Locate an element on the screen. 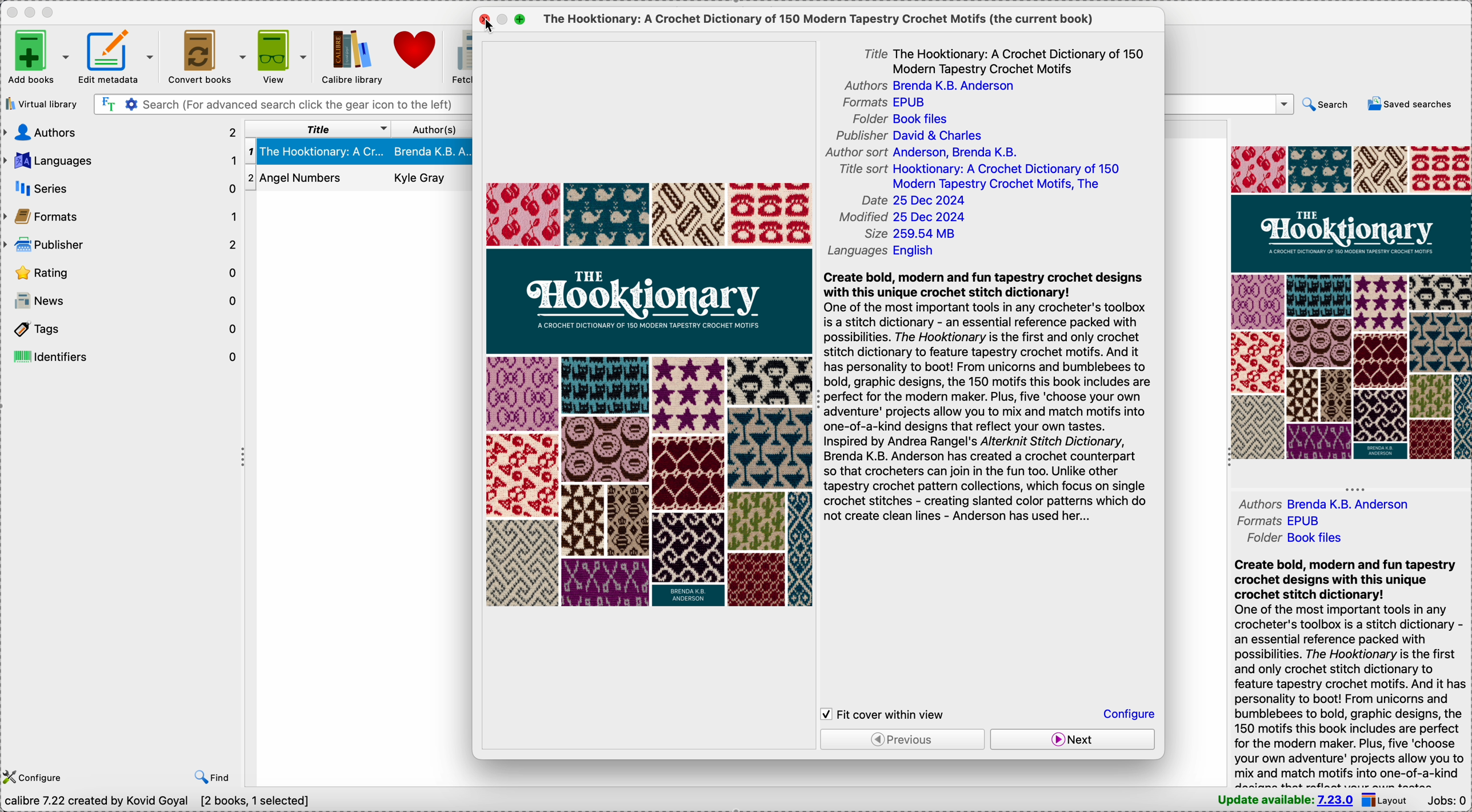 The image size is (1472, 812). languages is located at coordinates (121, 161).